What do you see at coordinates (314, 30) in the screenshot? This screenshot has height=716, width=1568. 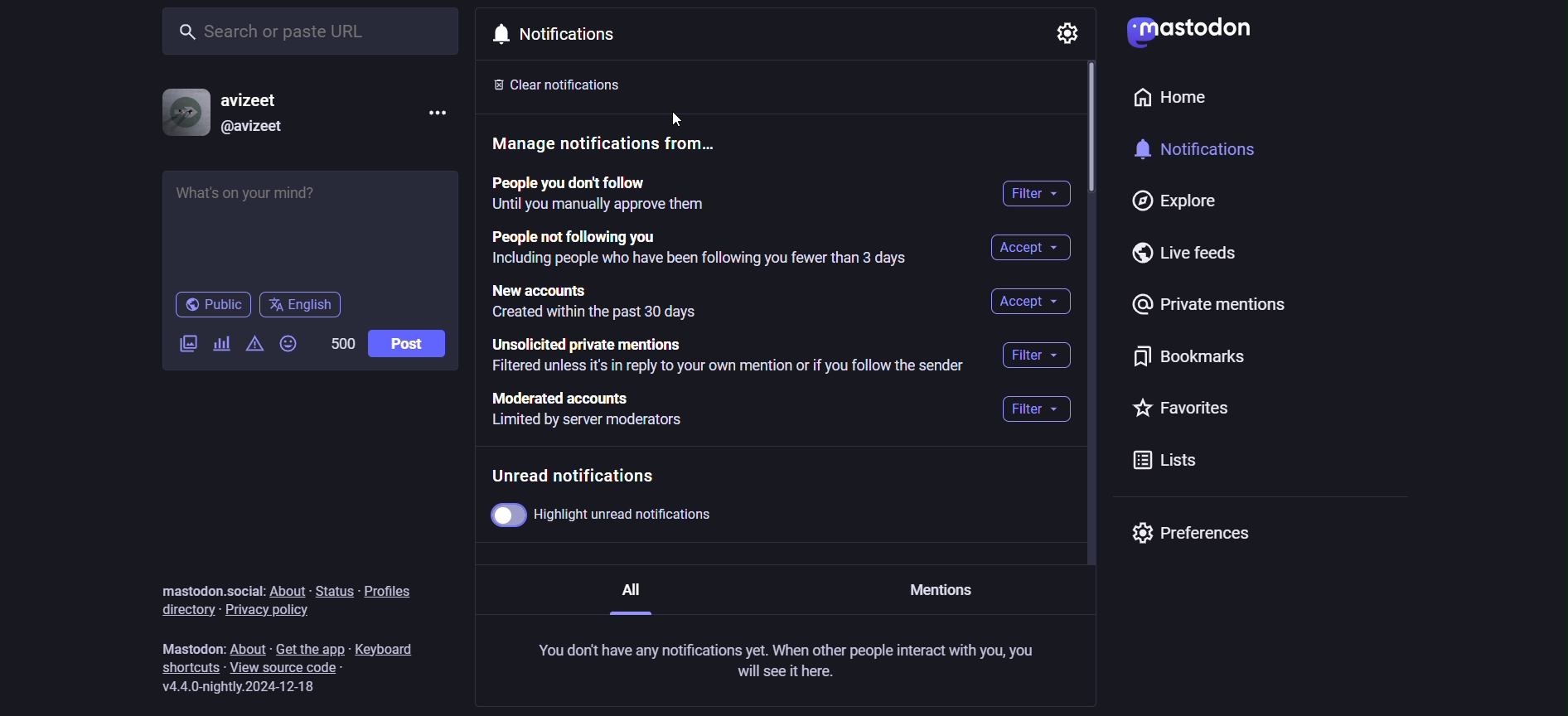 I see `search` at bounding box center [314, 30].